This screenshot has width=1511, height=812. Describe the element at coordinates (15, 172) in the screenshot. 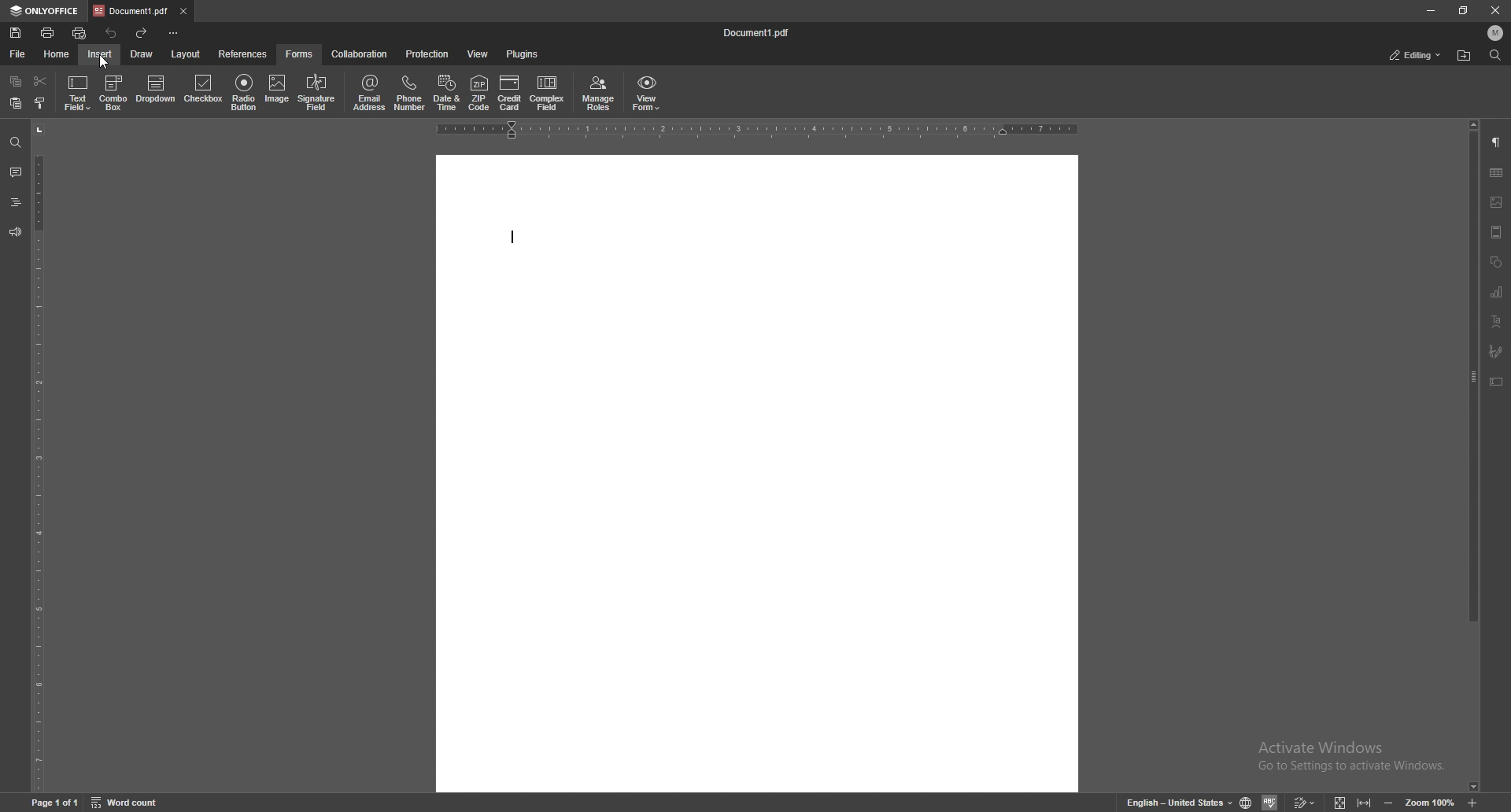

I see `comment` at that location.